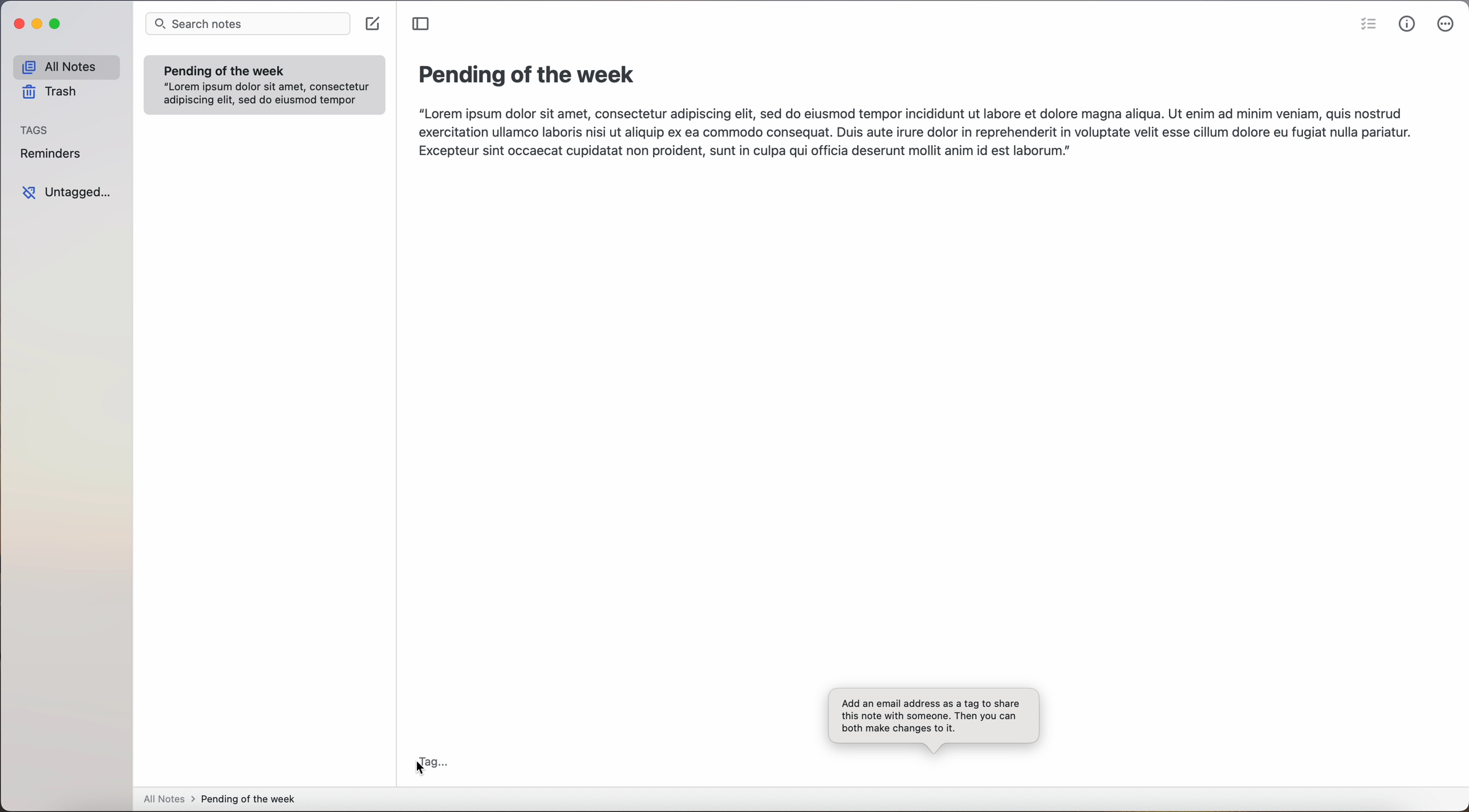 The width and height of the screenshot is (1469, 812). Describe the element at coordinates (249, 23) in the screenshot. I see `search notes` at that location.